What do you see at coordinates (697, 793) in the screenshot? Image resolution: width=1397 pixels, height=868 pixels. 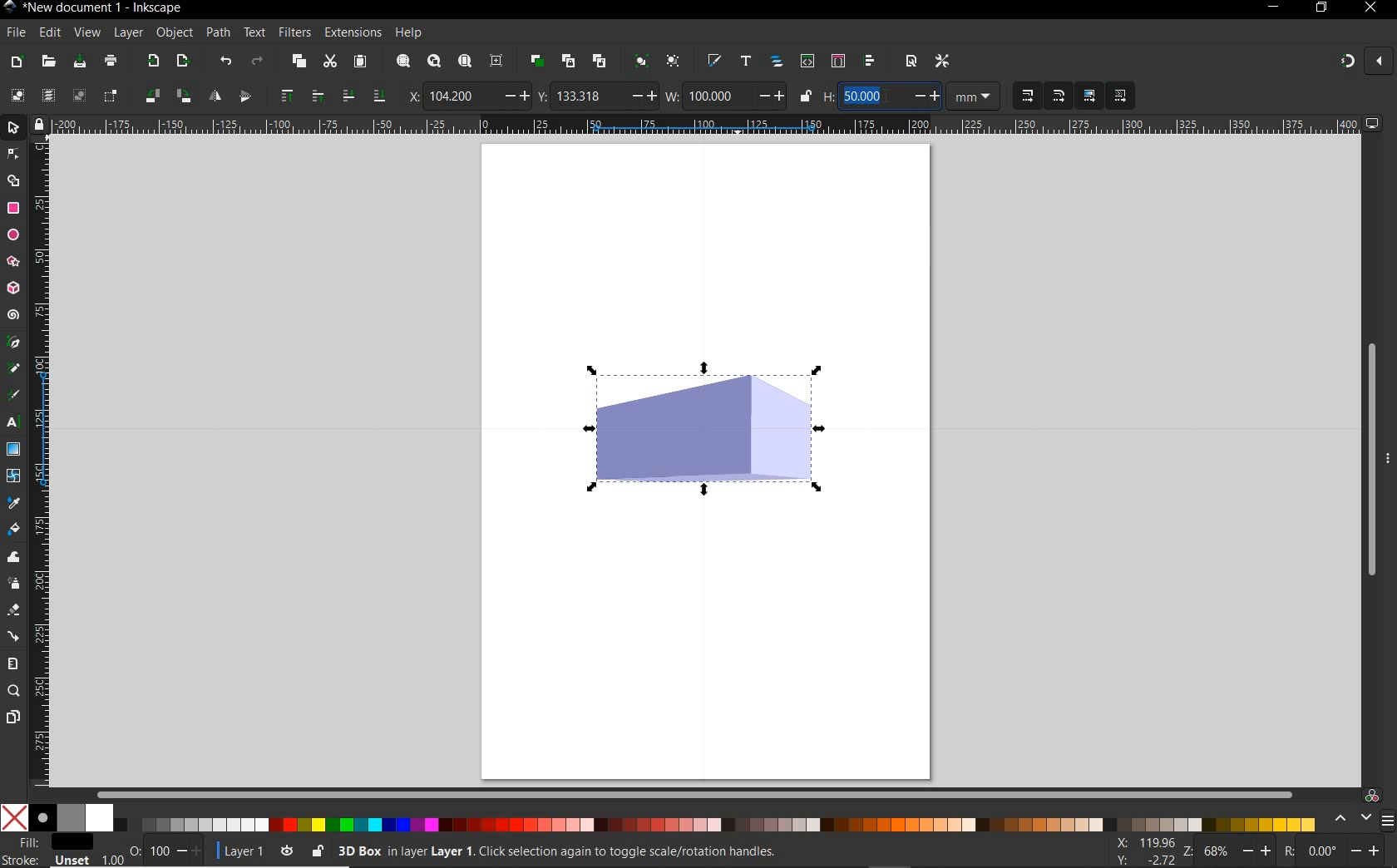 I see `scrollbar` at bounding box center [697, 793].